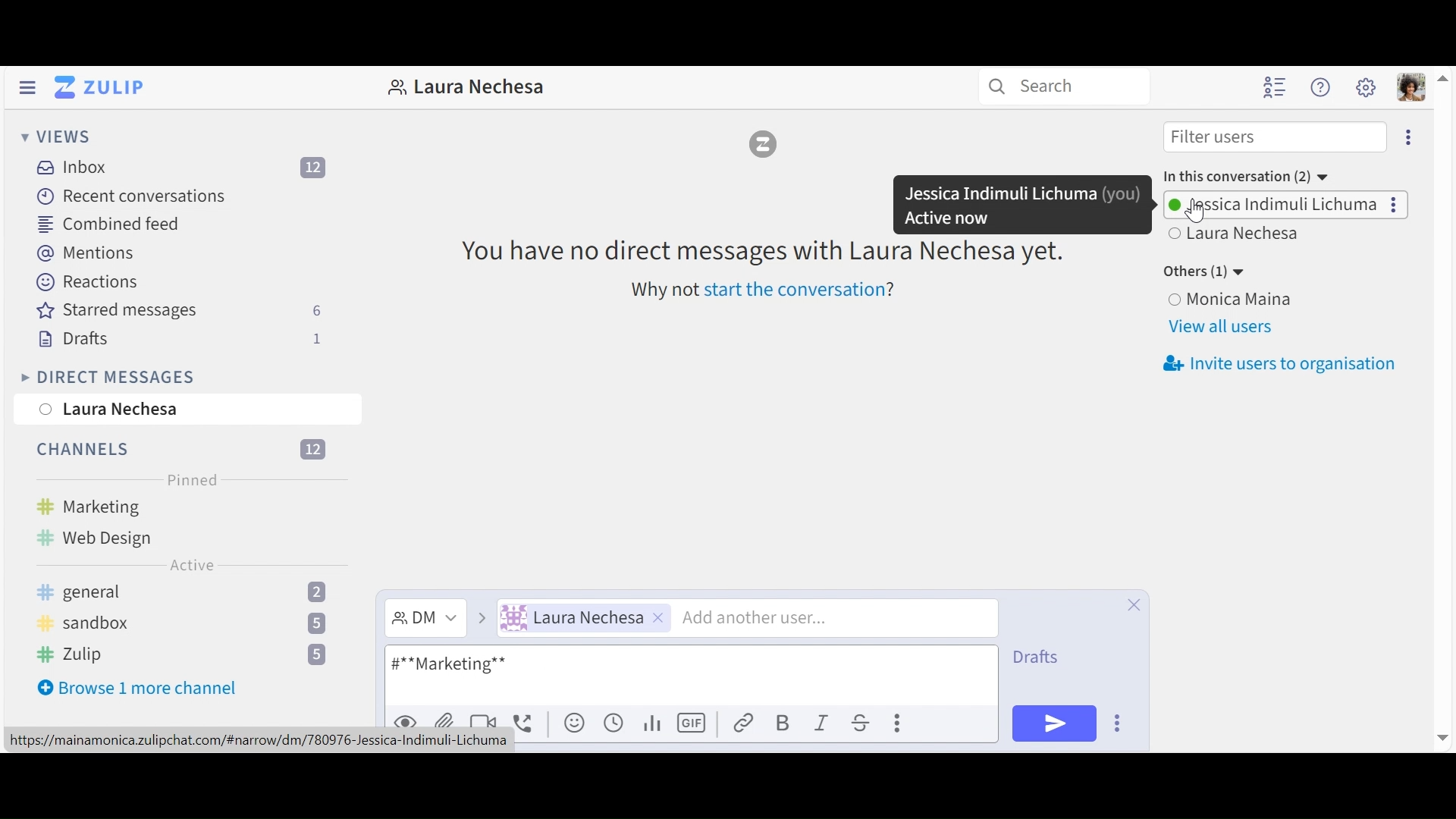 The width and height of the screenshot is (1456, 819). Describe the element at coordinates (105, 224) in the screenshot. I see `Combined feed` at that location.